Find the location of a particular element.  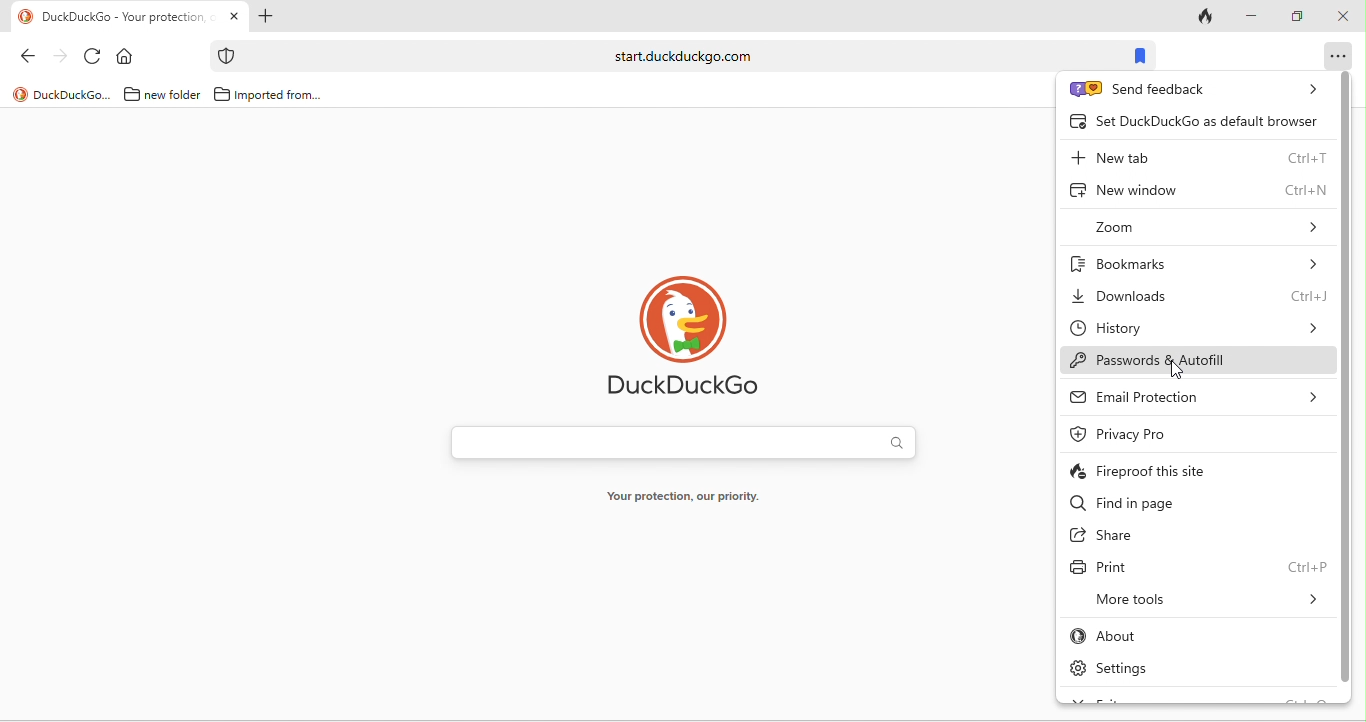

home is located at coordinates (127, 58).